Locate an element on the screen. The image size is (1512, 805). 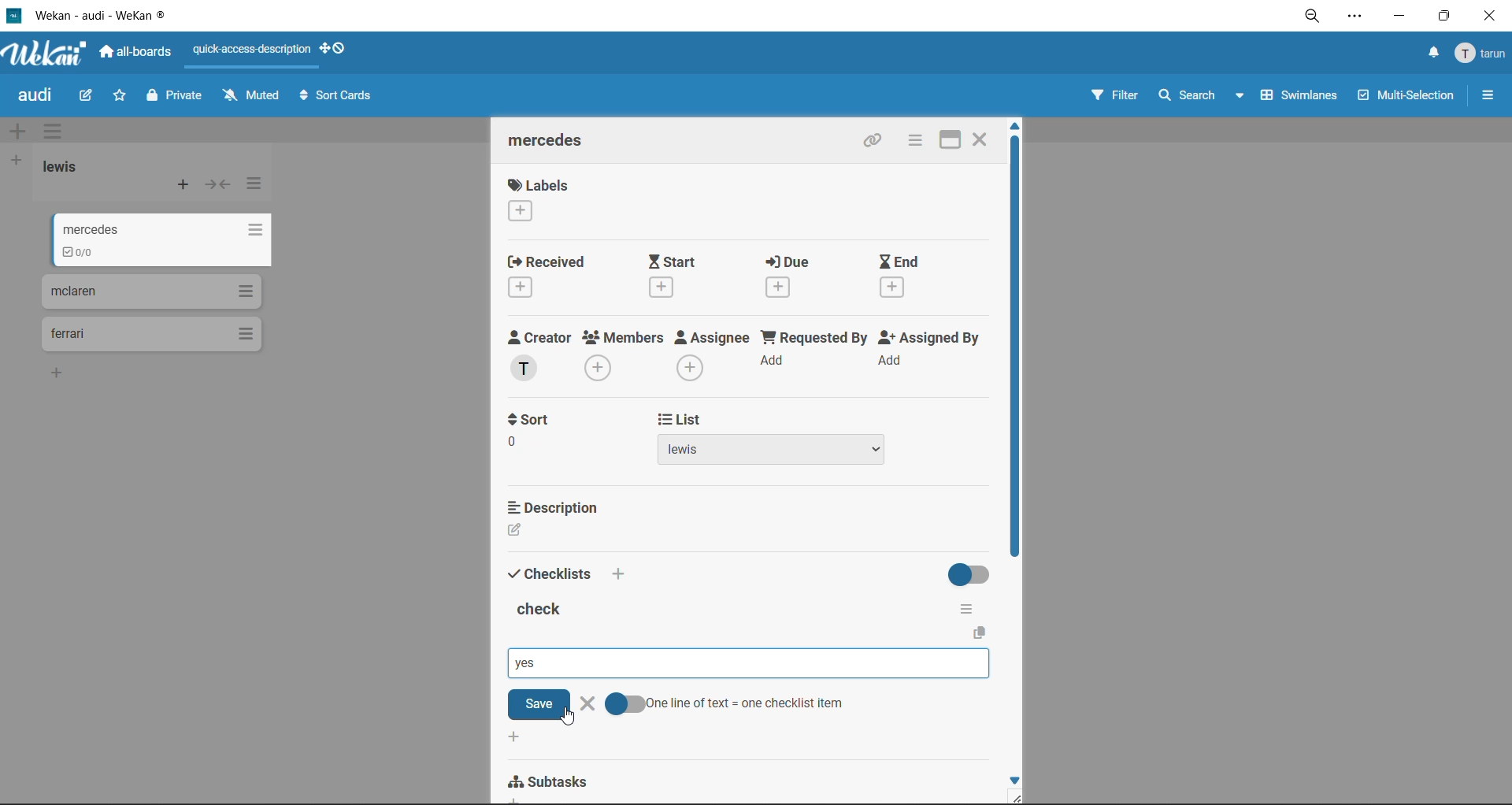
sidebar is located at coordinates (1488, 95).